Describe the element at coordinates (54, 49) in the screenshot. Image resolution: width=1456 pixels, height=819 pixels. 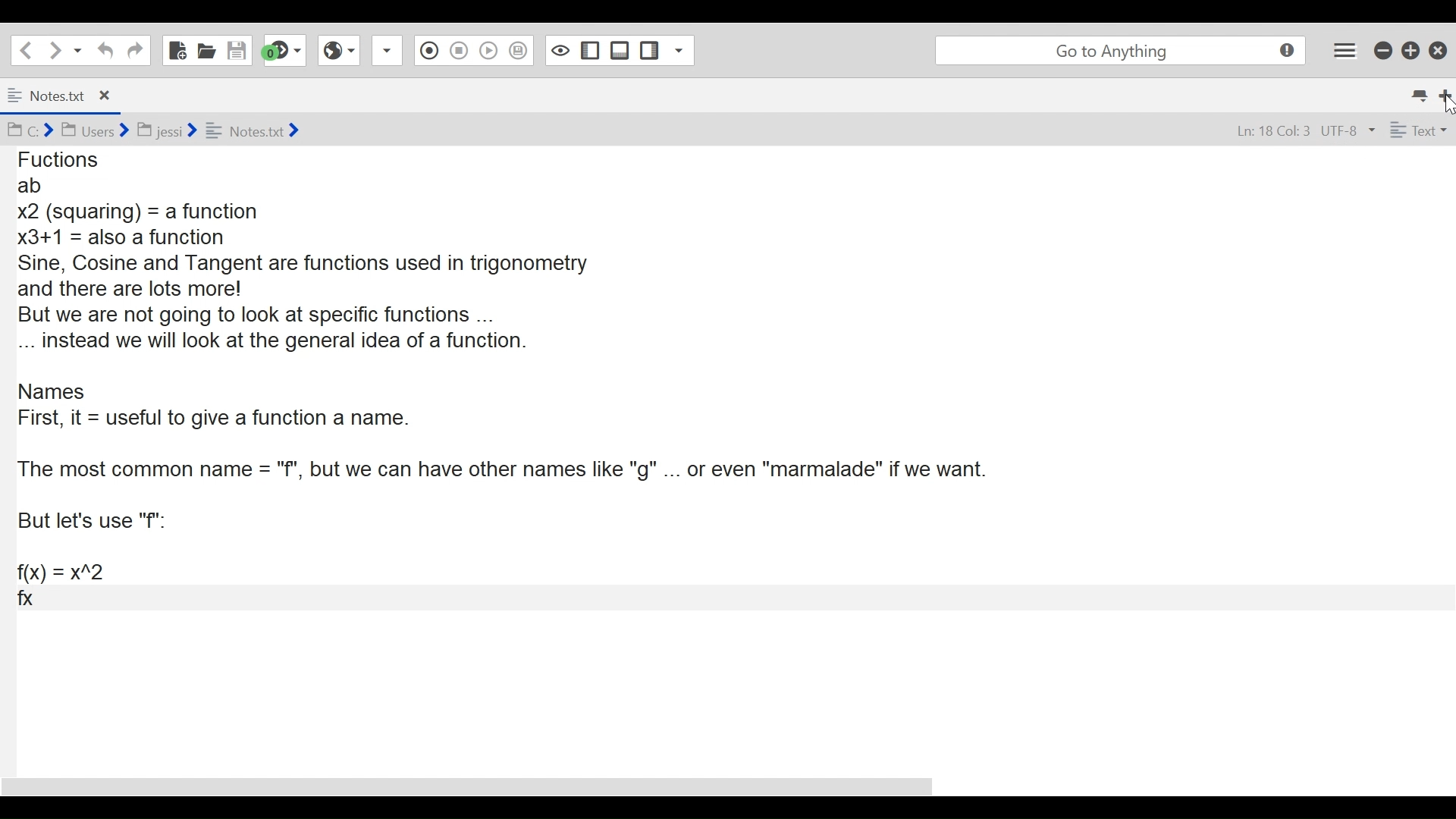
I see `Go Forward one location` at that location.